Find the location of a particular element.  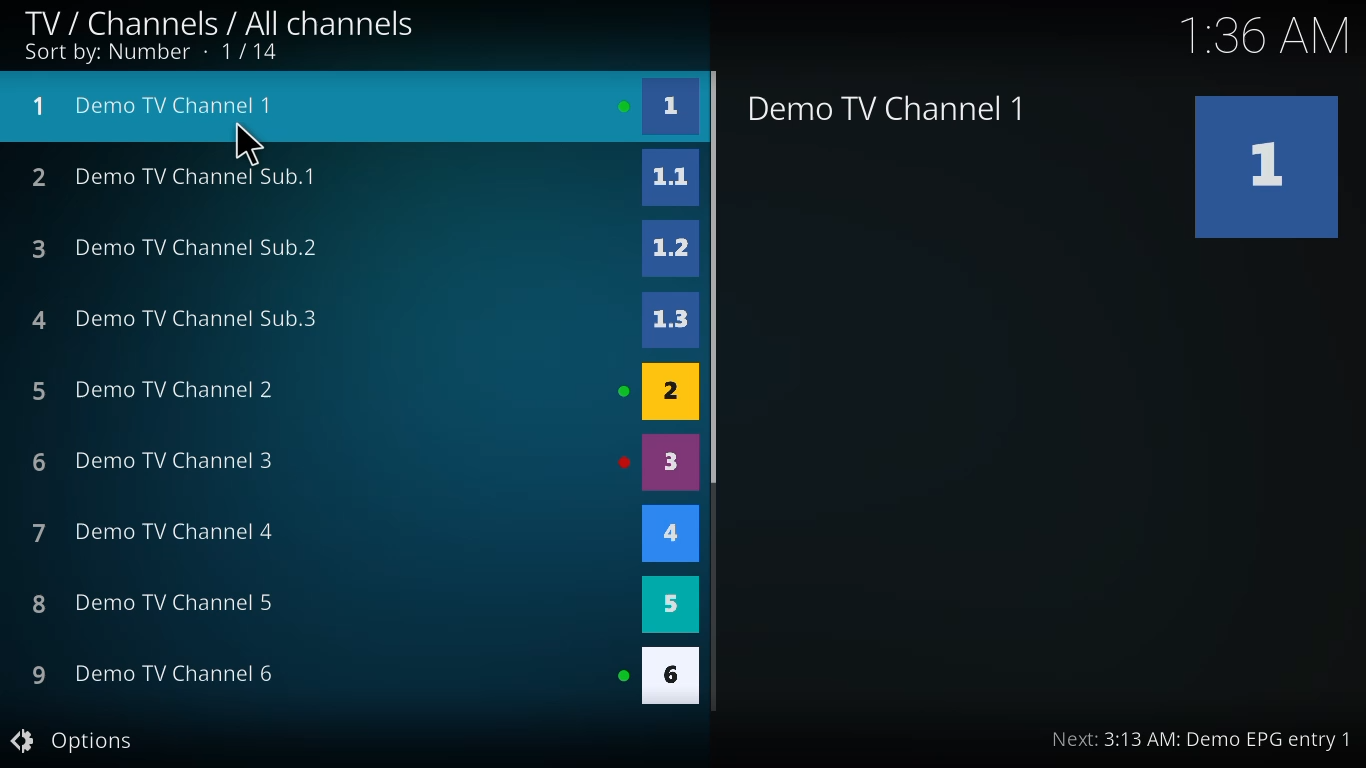

demo channel sub 1 is located at coordinates (178, 178).